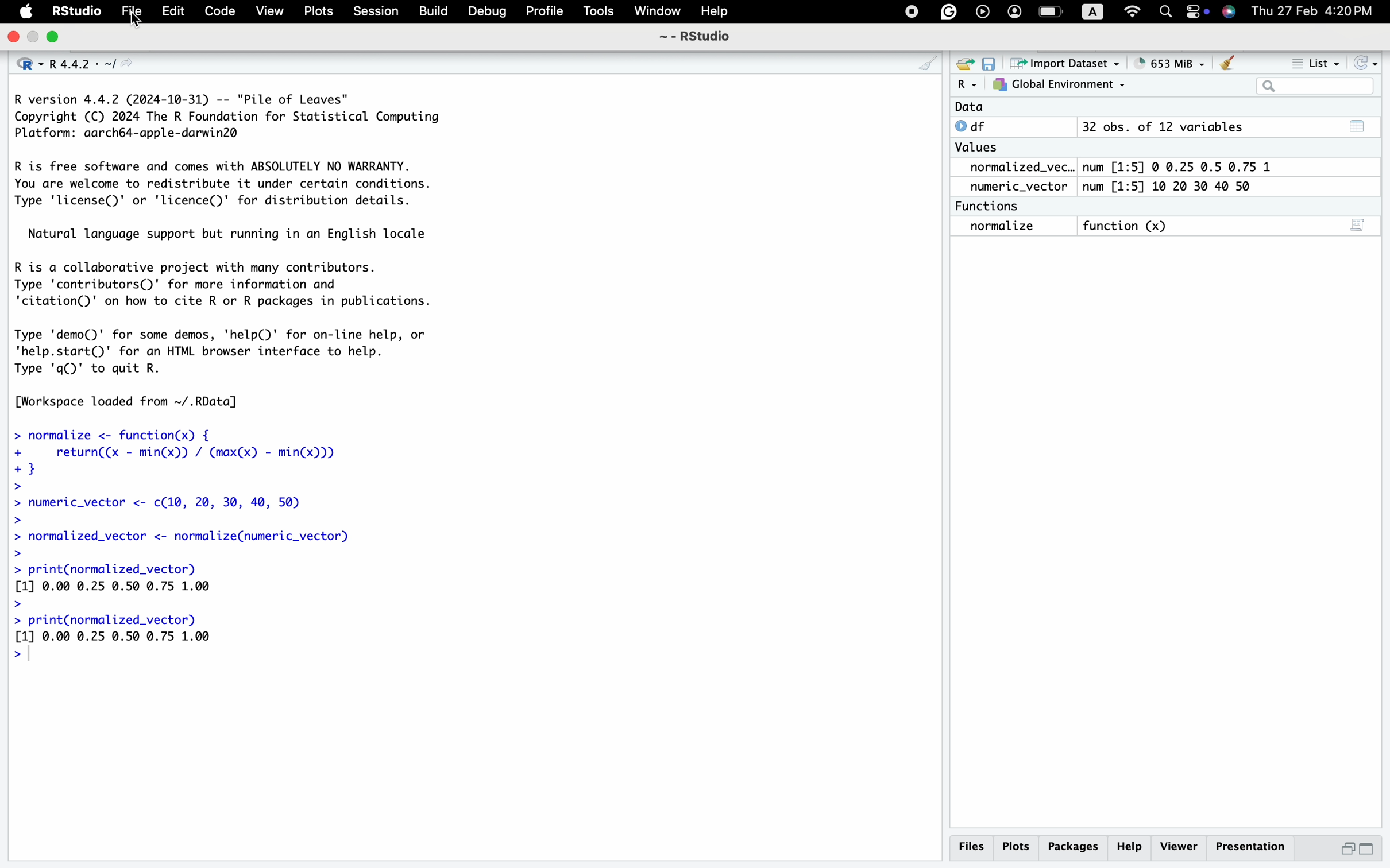  Describe the element at coordinates (75, 60) in the screenshot. I see `R.4.4.2` at that location.